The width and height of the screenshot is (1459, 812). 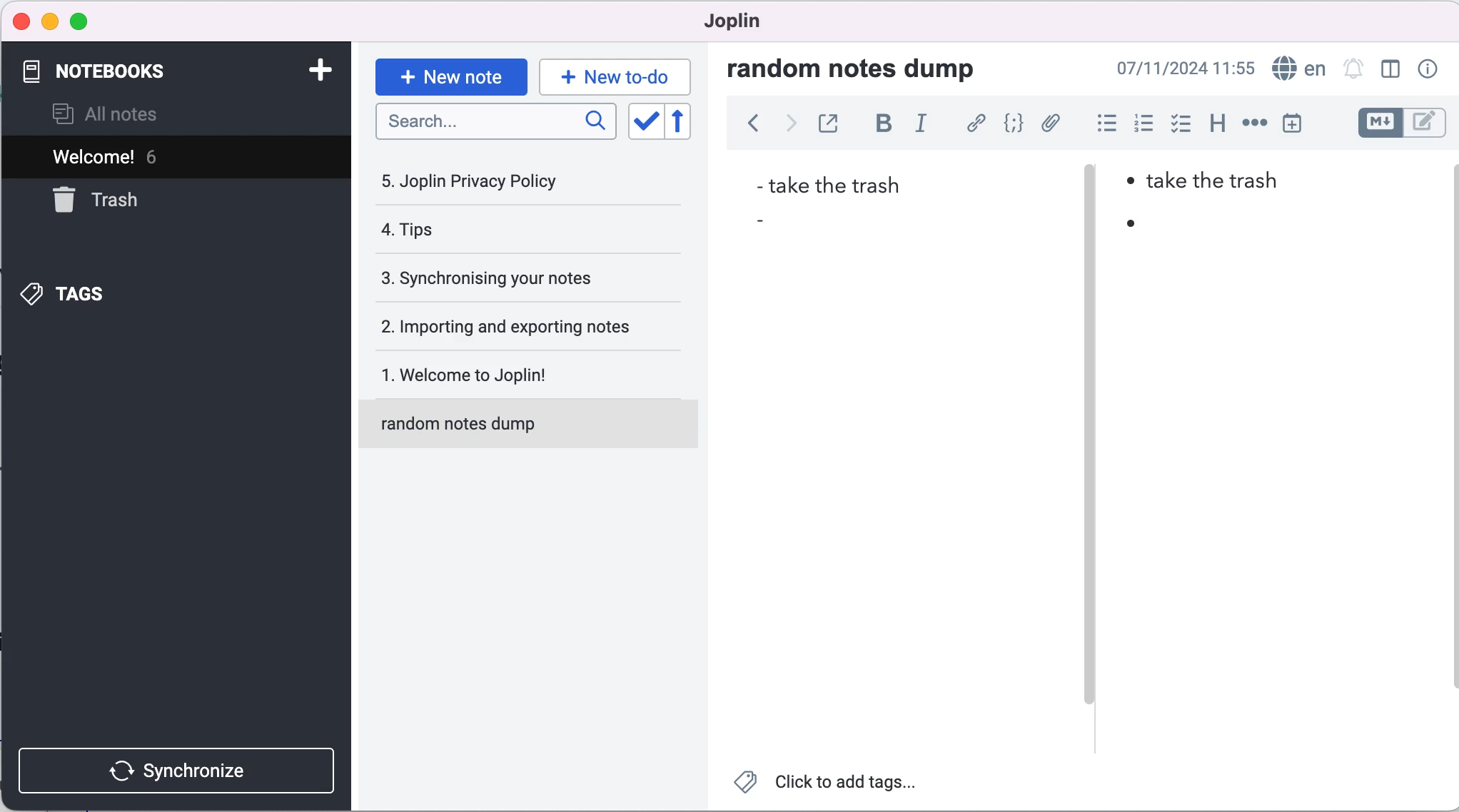 What do you see at coordinates (690, 122) in the screenshot?
I see `reverse sort order` at bounding box center [690, 122].